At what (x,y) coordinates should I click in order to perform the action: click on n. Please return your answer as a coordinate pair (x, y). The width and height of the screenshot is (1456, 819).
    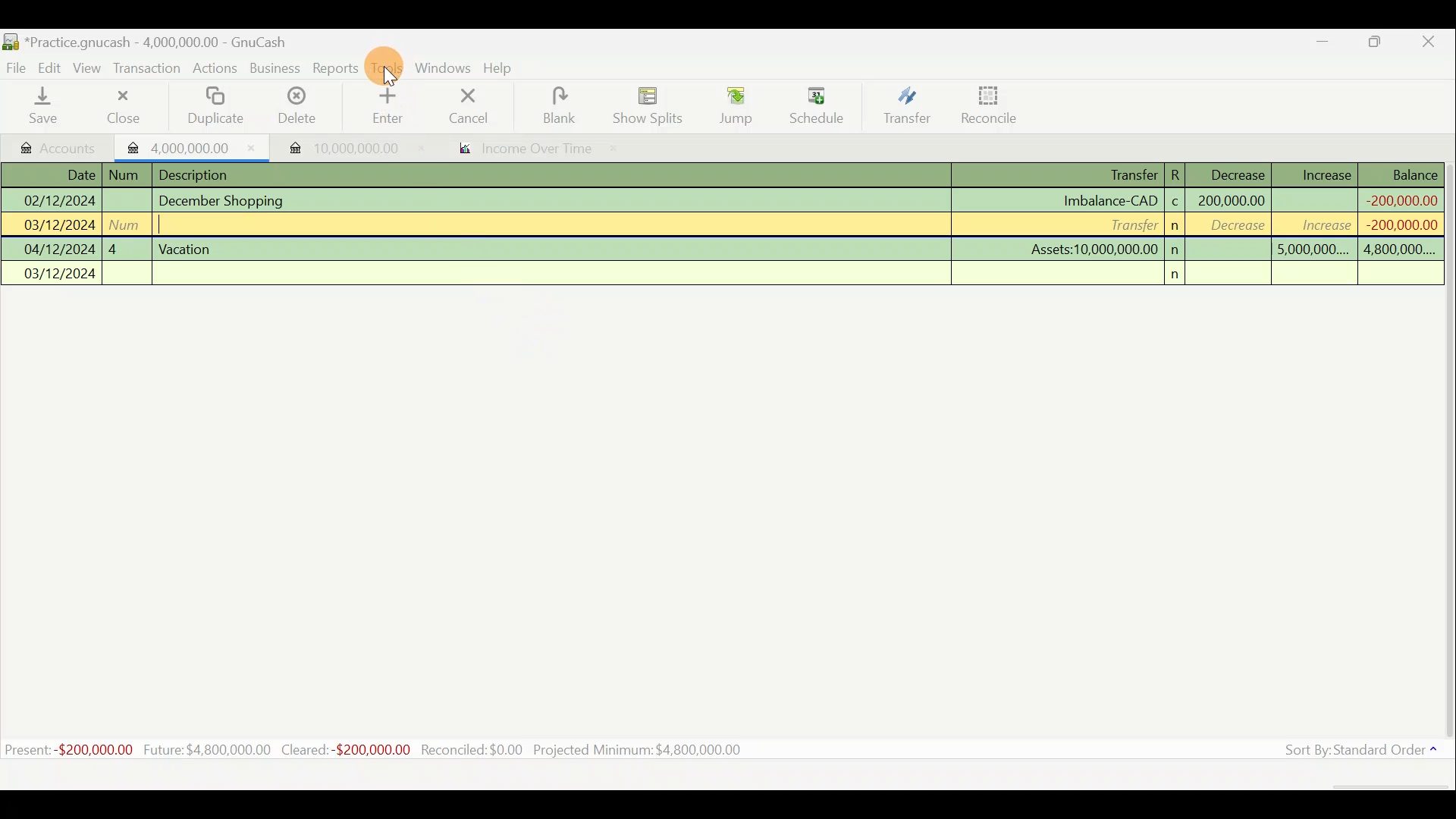
    Looking at the image, I should click on (1177, 249).